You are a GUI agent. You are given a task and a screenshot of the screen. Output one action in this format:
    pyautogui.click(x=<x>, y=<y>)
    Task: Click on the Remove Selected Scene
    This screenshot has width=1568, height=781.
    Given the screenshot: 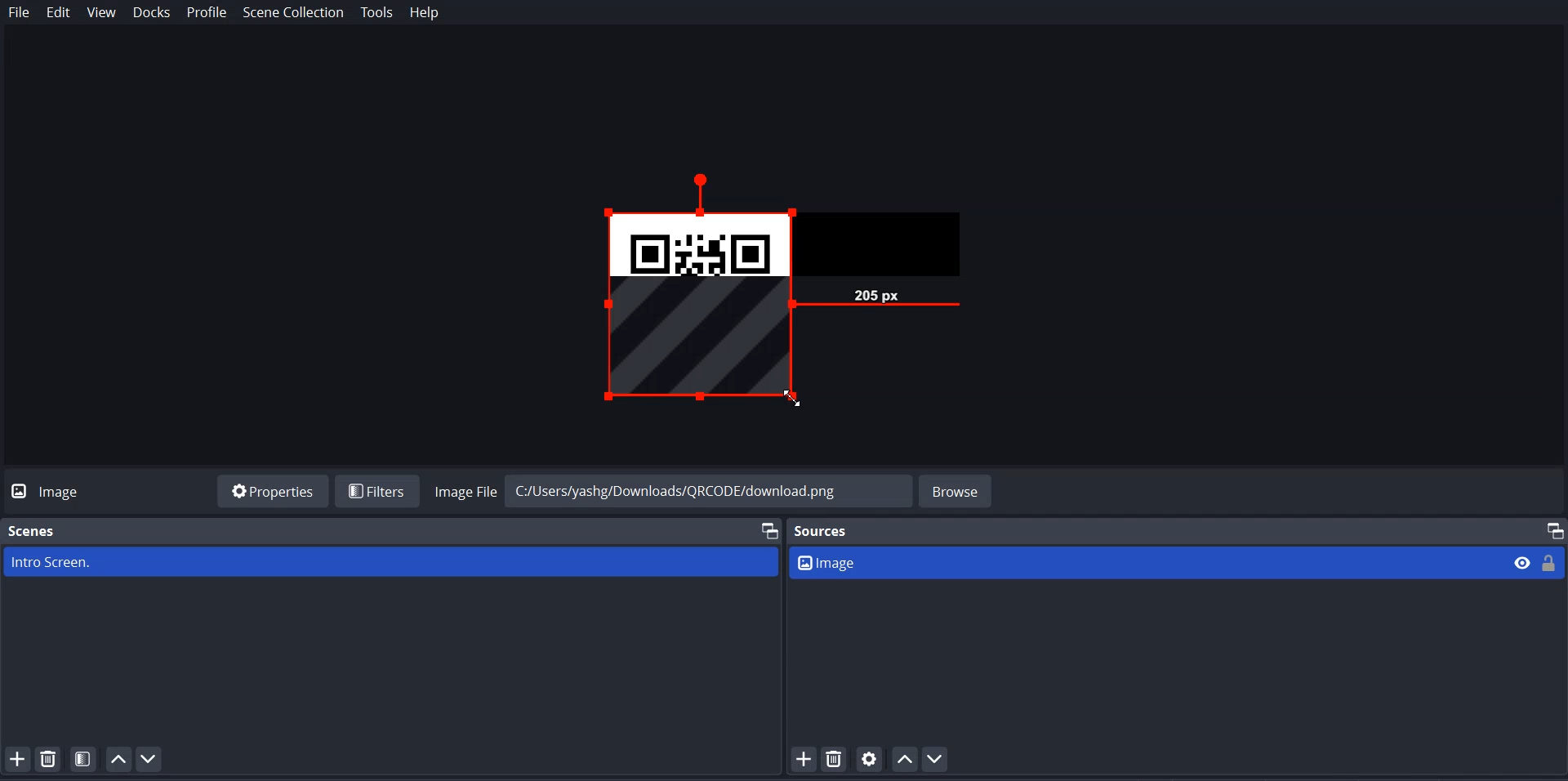 What is the action you would take?
    pyautogui.click(x=51, y=759)
    